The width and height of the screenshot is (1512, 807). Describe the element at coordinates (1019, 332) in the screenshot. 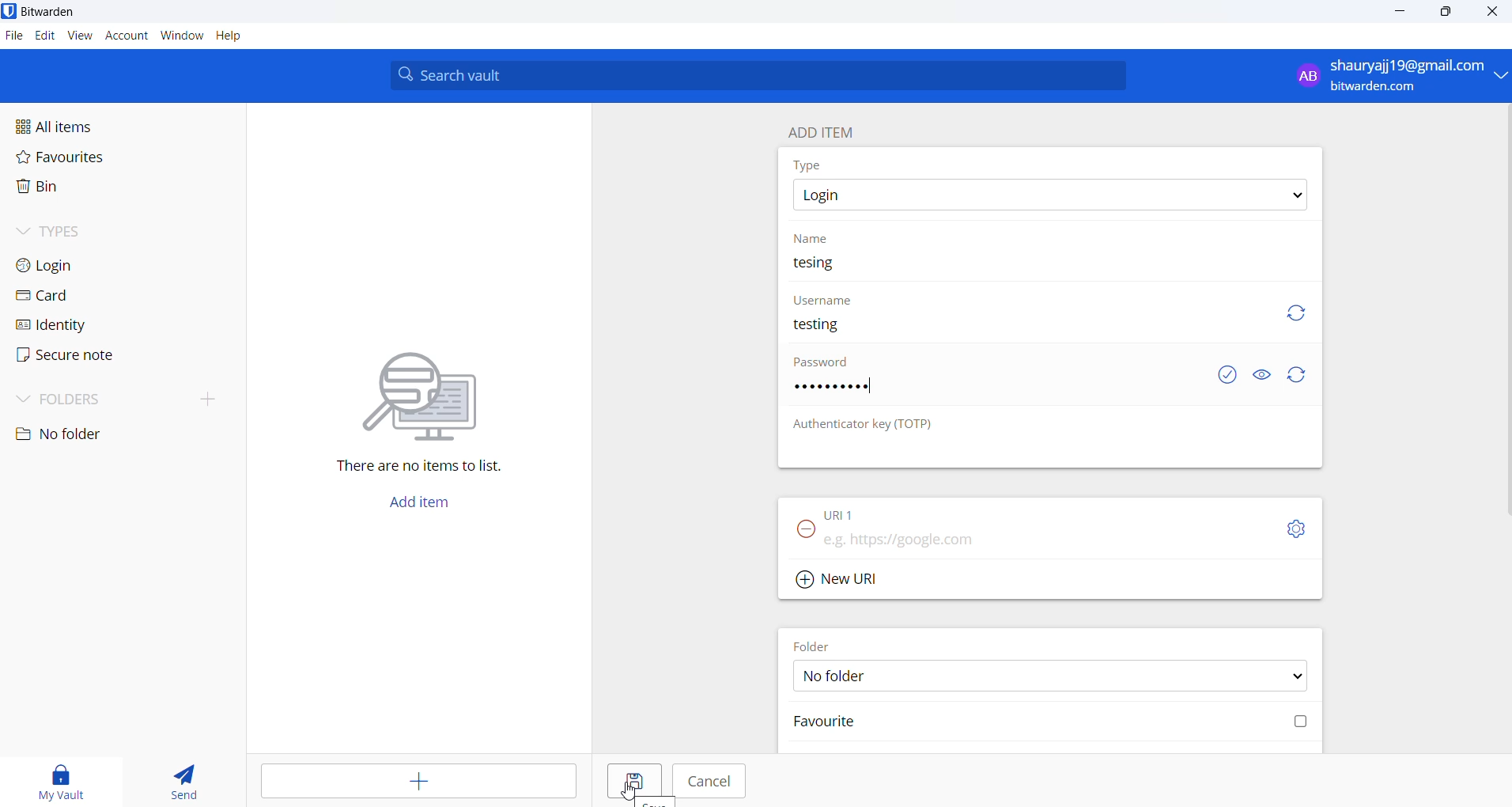

I see `Username text box` at that location.